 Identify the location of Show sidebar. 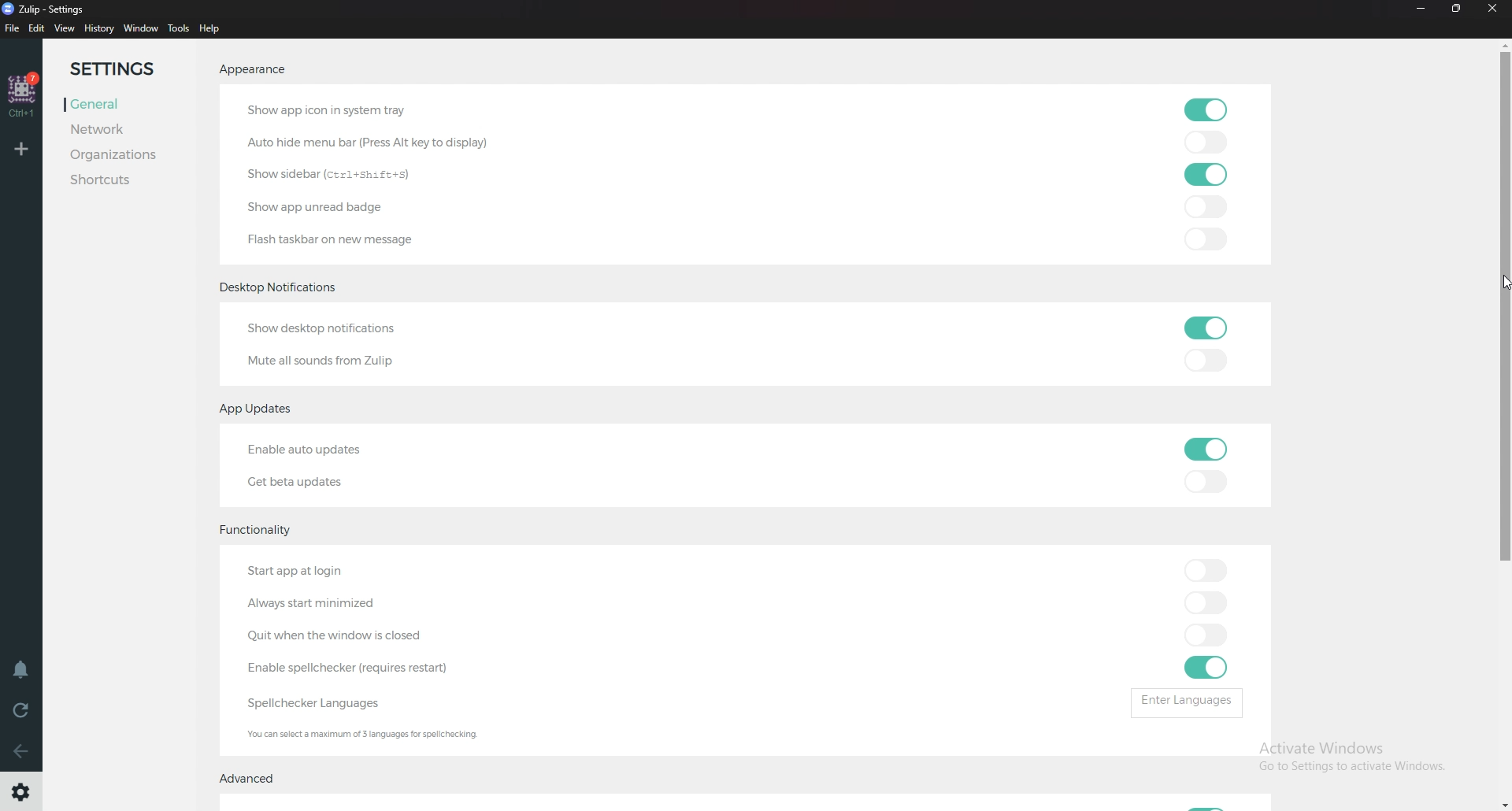
(335, 174).